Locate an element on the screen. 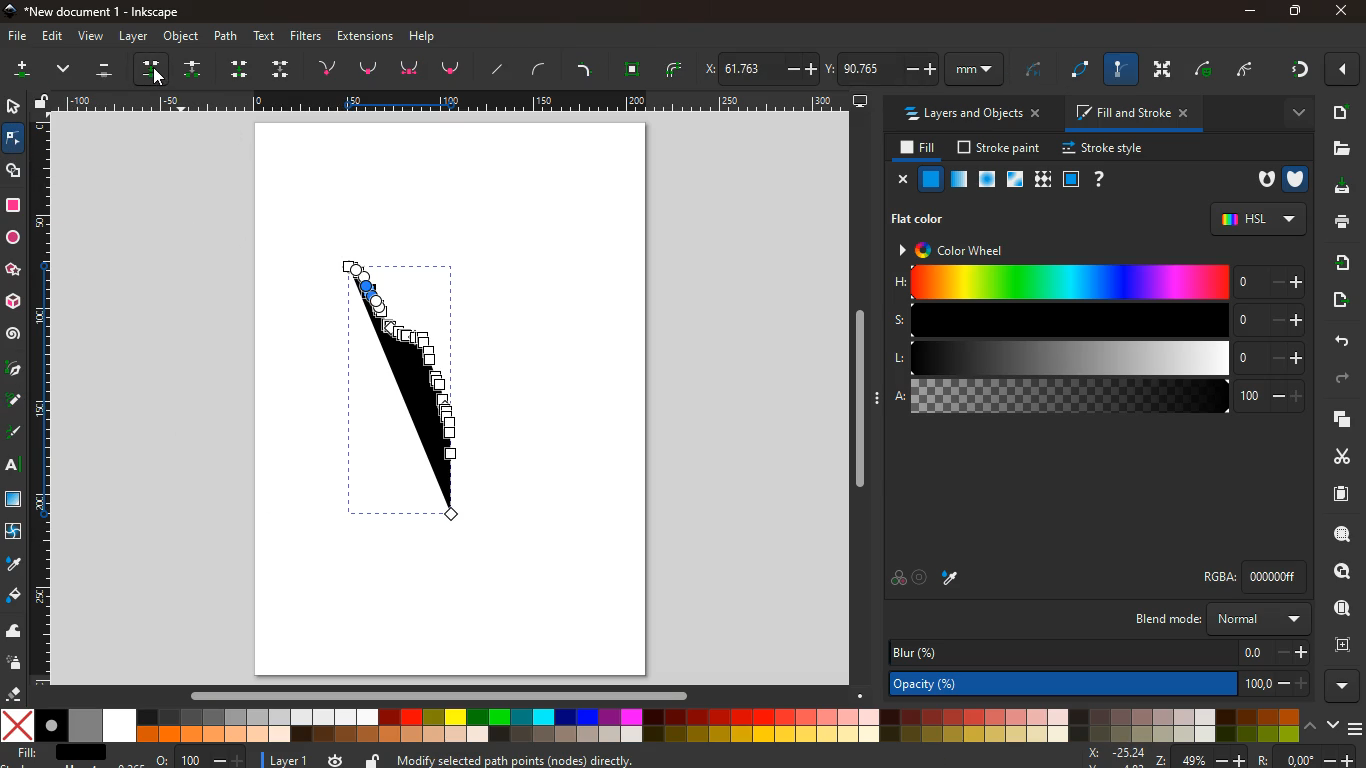 Image resolution: width=1366 pixels, height=768 pixels. texture is located at coordinates (1042, 179).